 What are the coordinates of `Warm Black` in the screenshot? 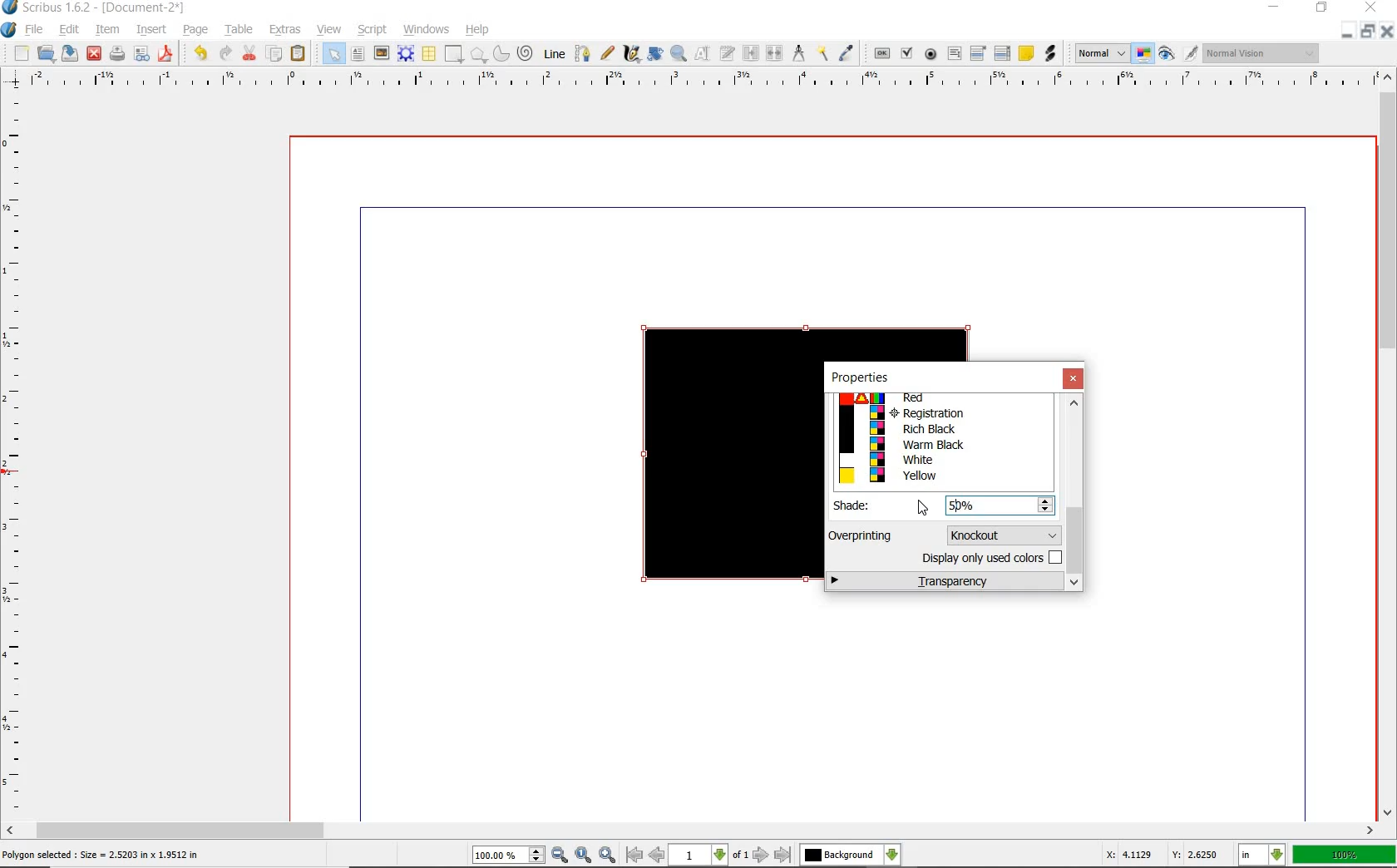 It's located at (942, 445).